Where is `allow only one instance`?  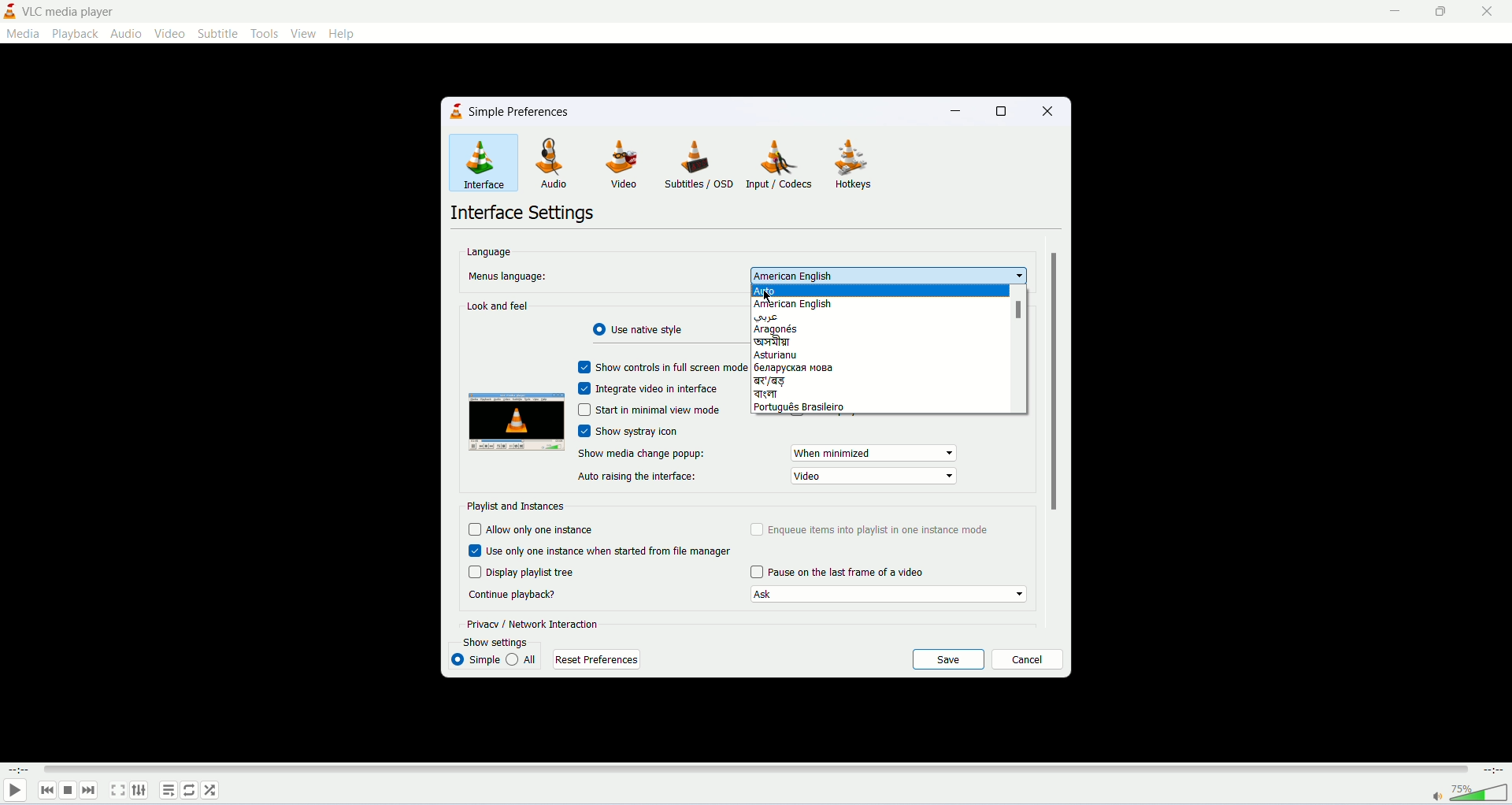 allow only one instance is located at coordinates (532, 530).